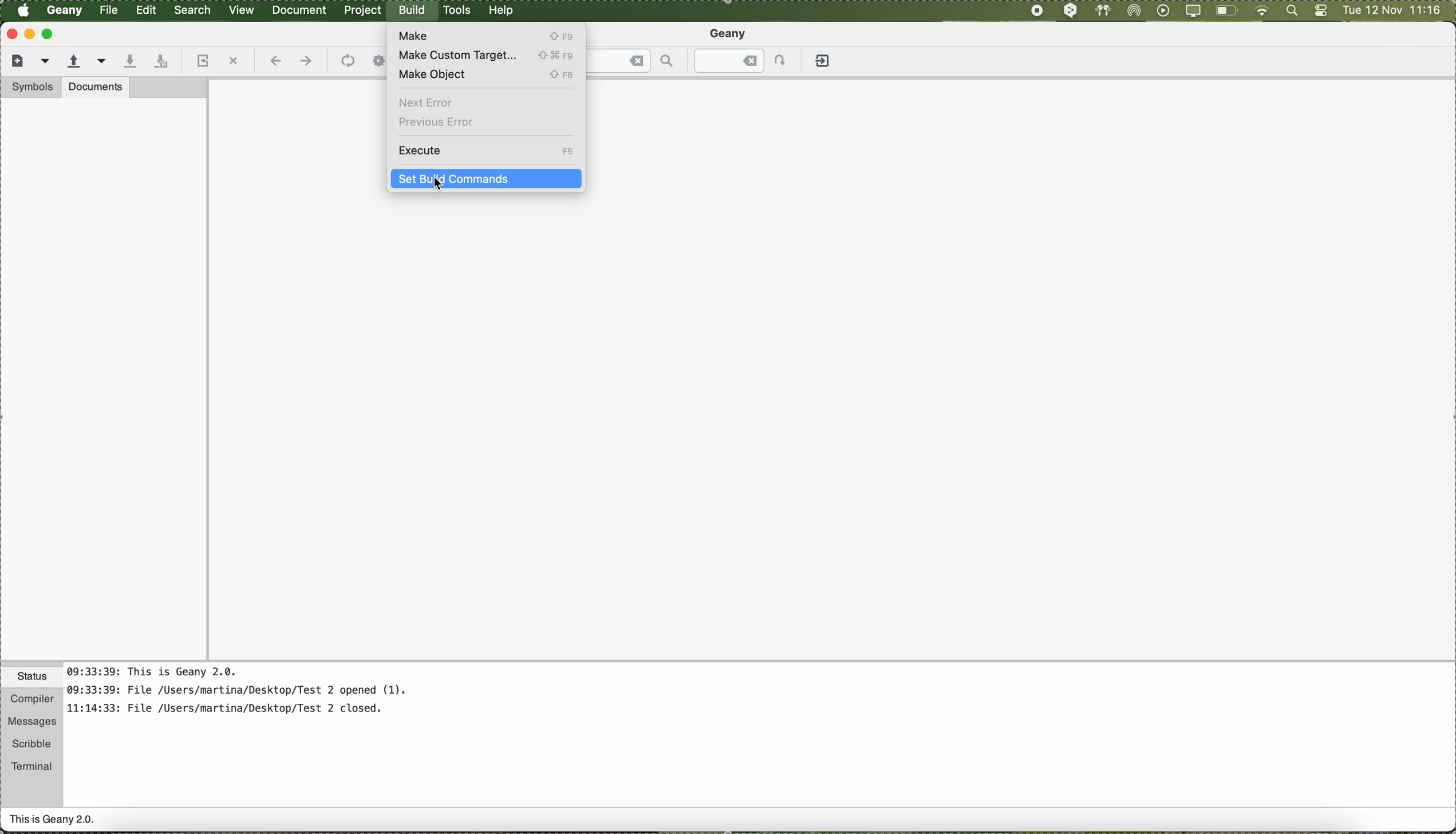  I want to click on make object, so click(487, 77).